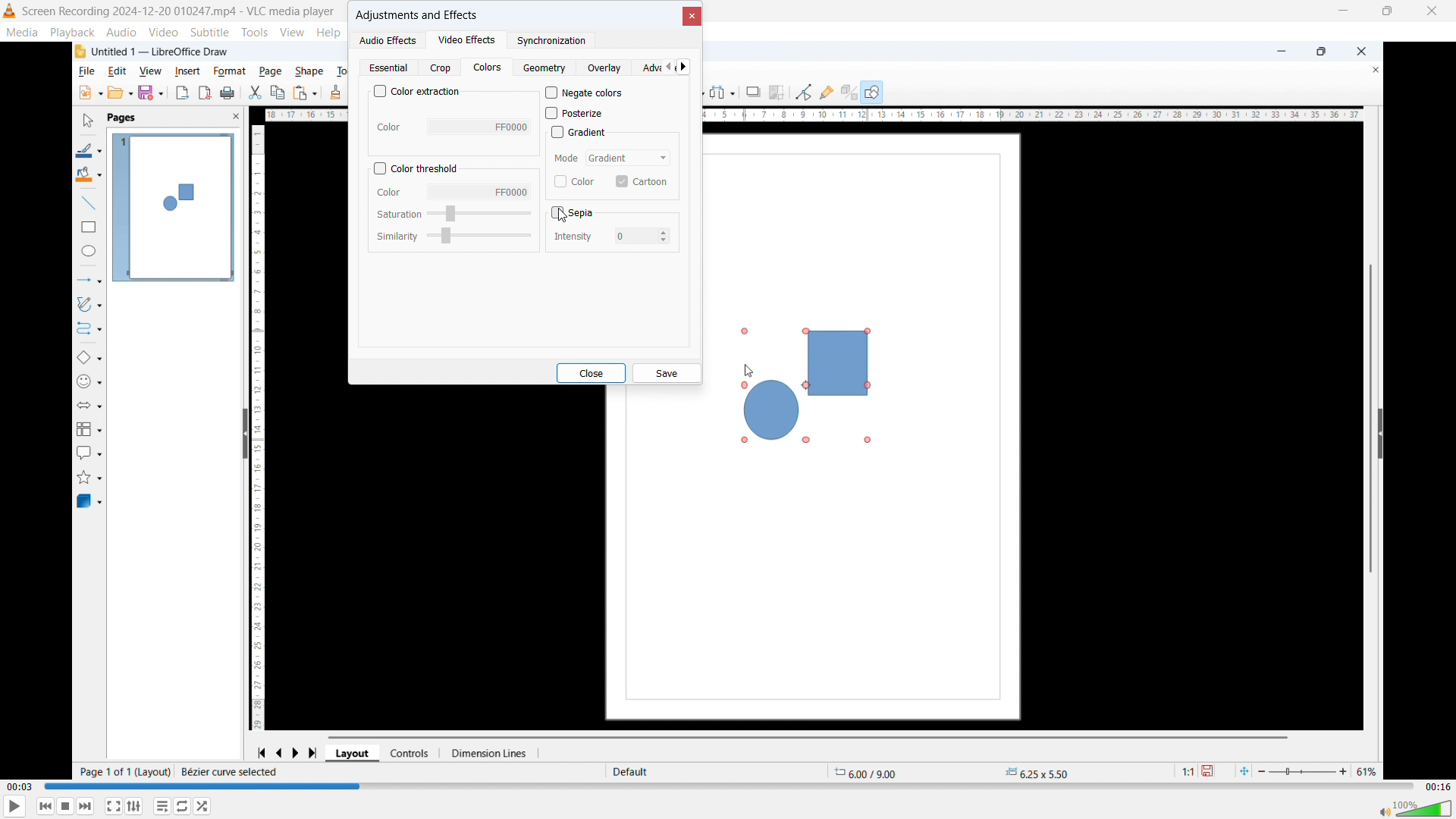 The width and height of the screenshot is (1456, 819). Describe the element at coordinates (390, 68) in the screenshot. I see `Essential ` at that location.